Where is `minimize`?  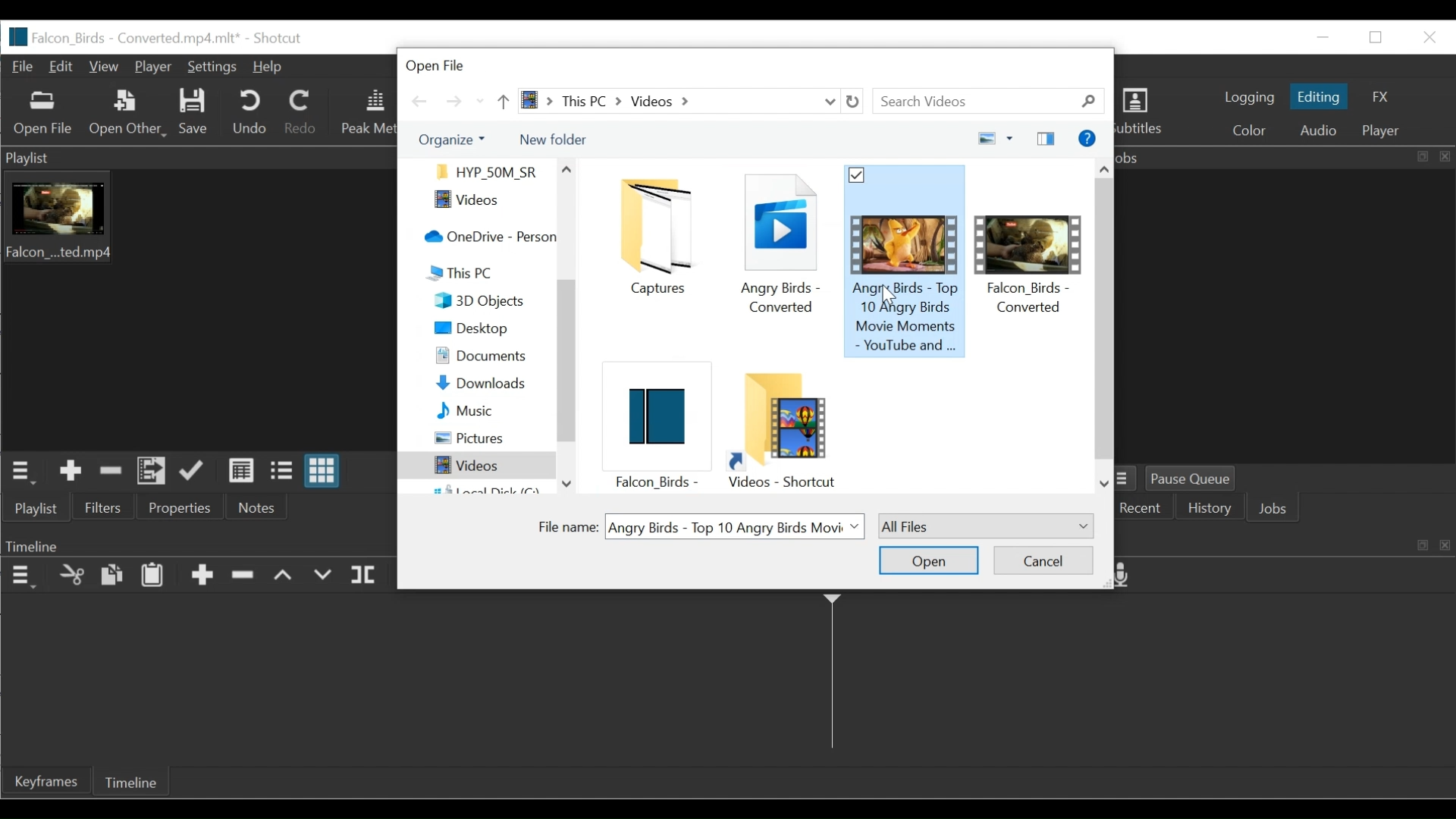
minimize is located at coordinates (1322, 37).